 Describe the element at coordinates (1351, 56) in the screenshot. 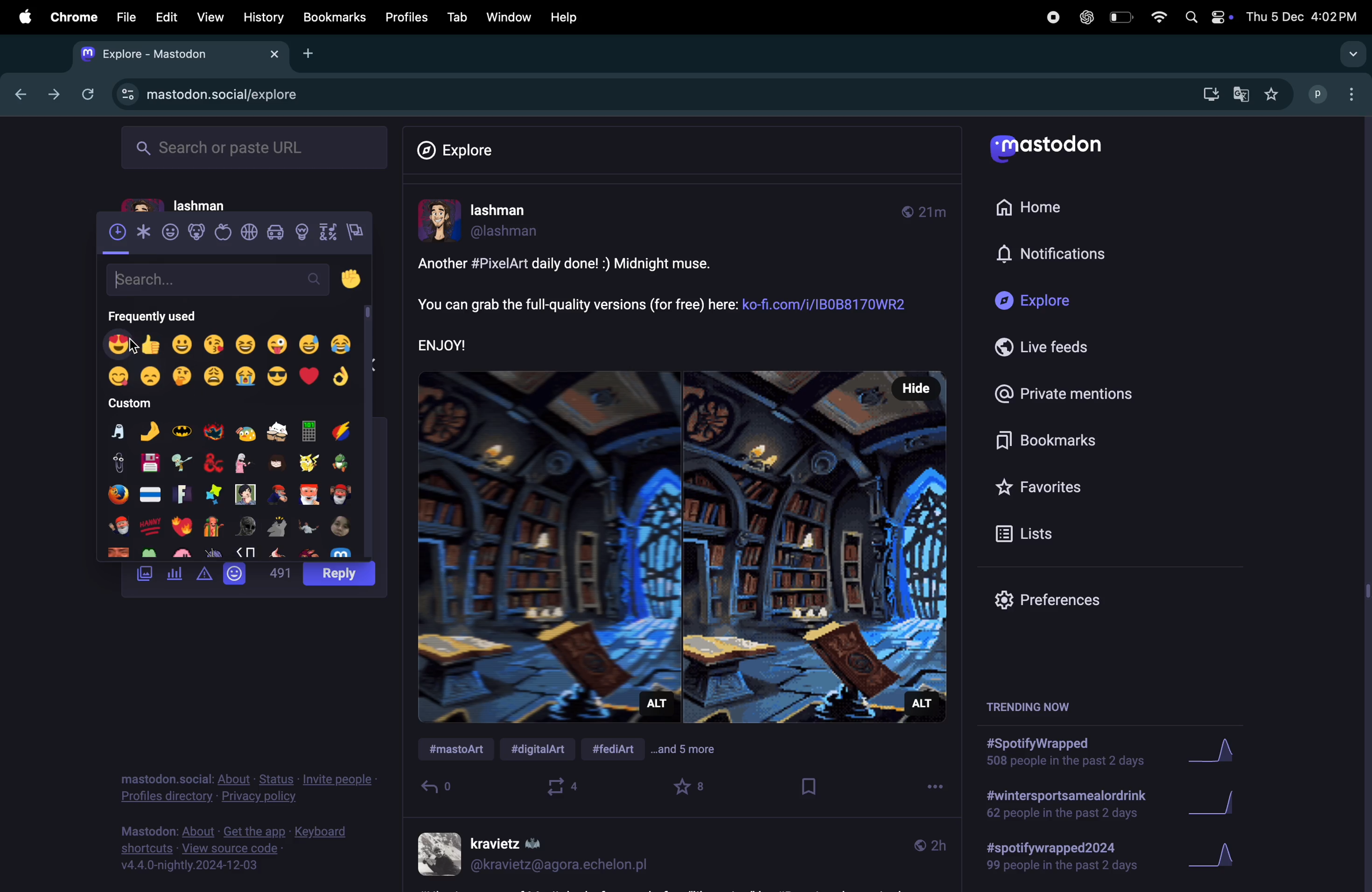

I see `drop down` at that location.